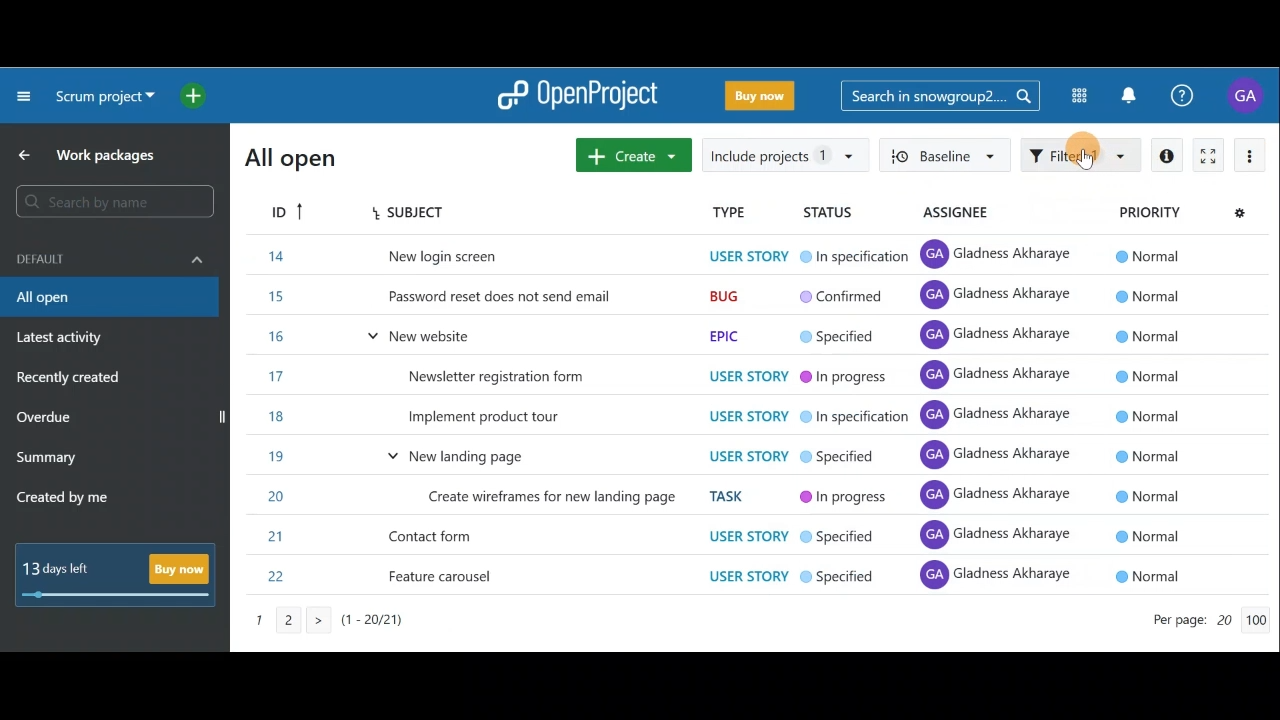 The width and height of the screenshot is (1280, 720). I want to click on Work packages, so click(91, 155).